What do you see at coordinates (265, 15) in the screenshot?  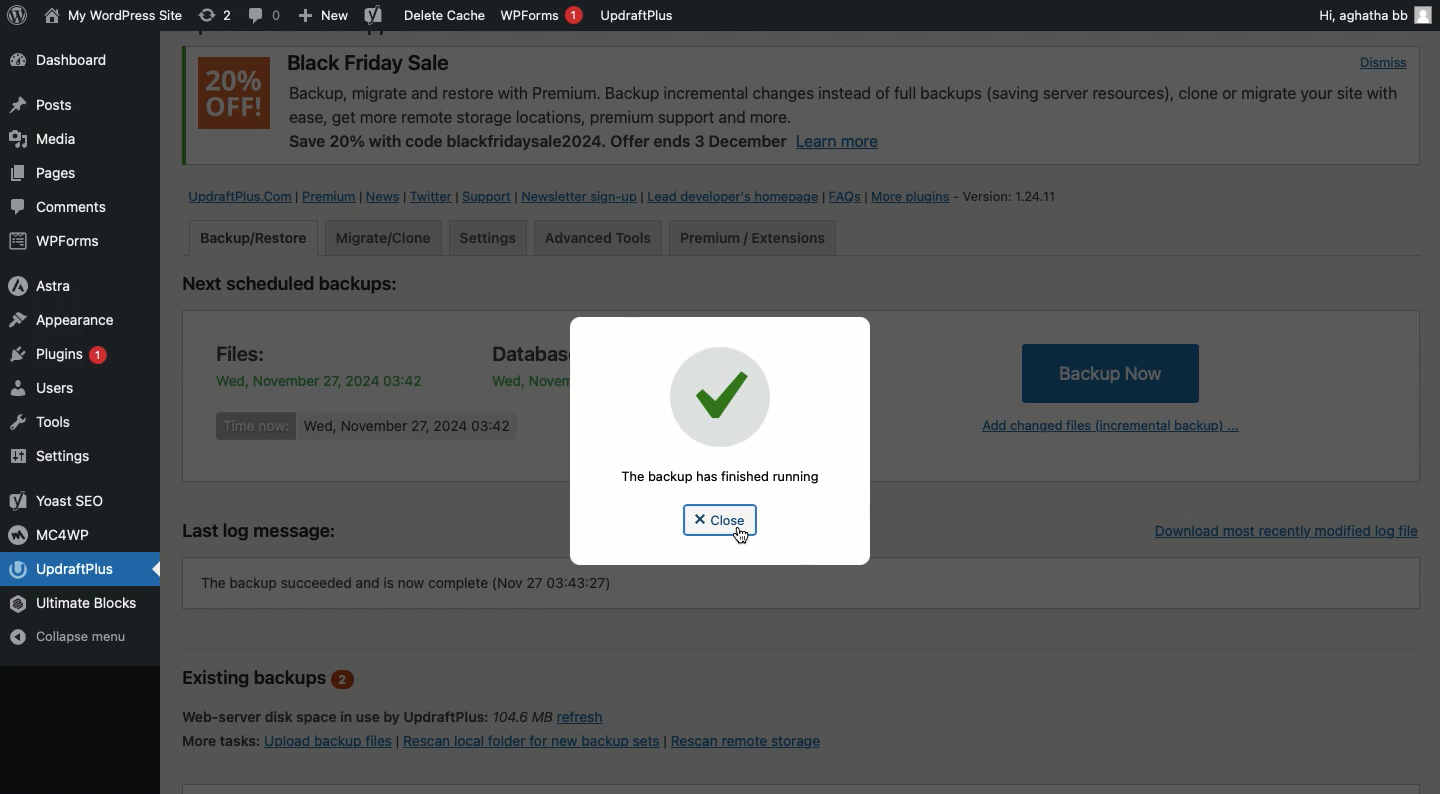 I see `Comment 0` at bounding box center [265, 15].